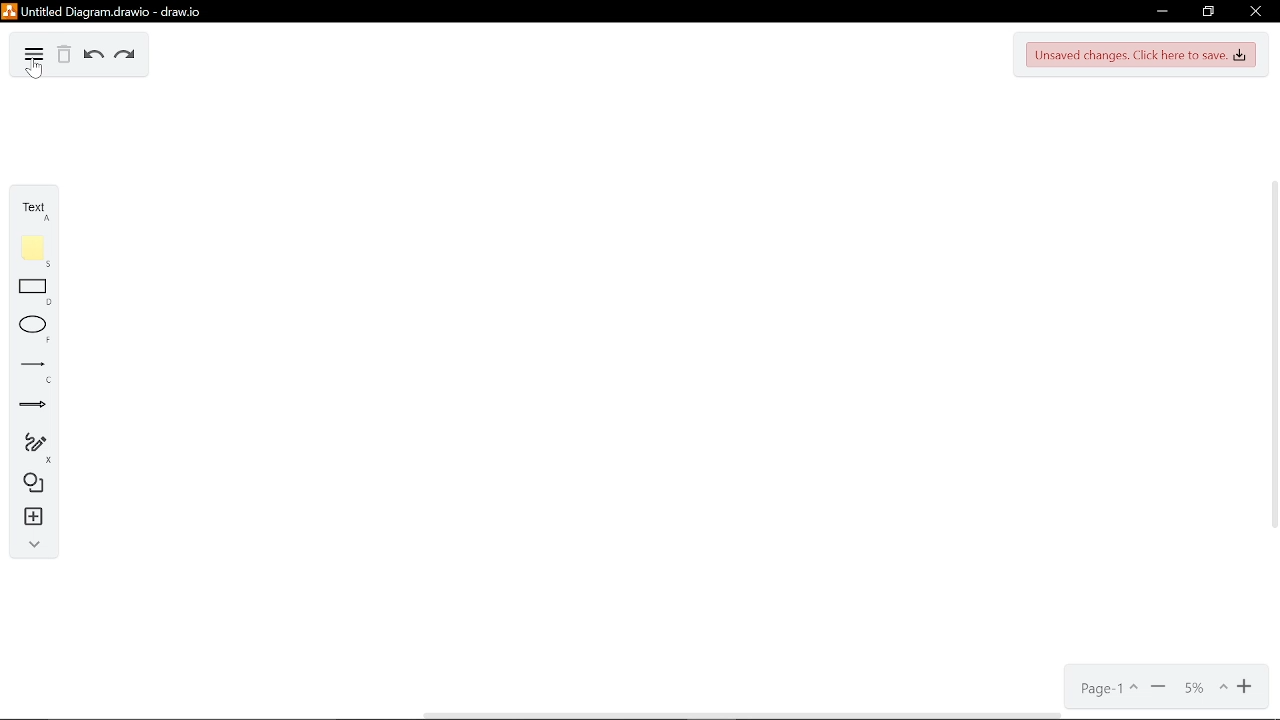  What do you see at coordinates (1255, 11) in the screenshot?
I see `CLose` at bounding box center [1255, 11].